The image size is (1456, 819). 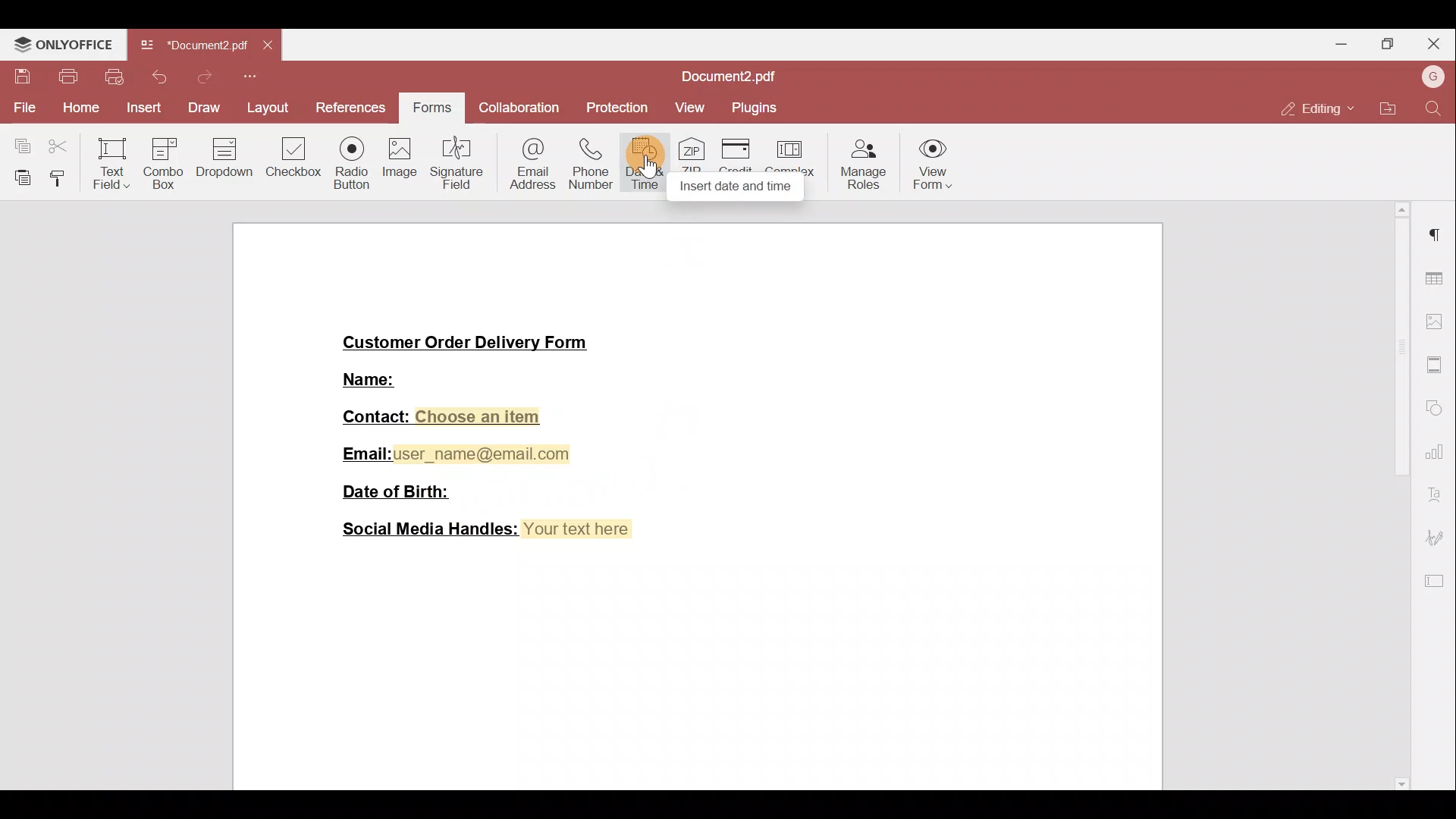 I want to click on Form settings, so click(x=1437, y=583).